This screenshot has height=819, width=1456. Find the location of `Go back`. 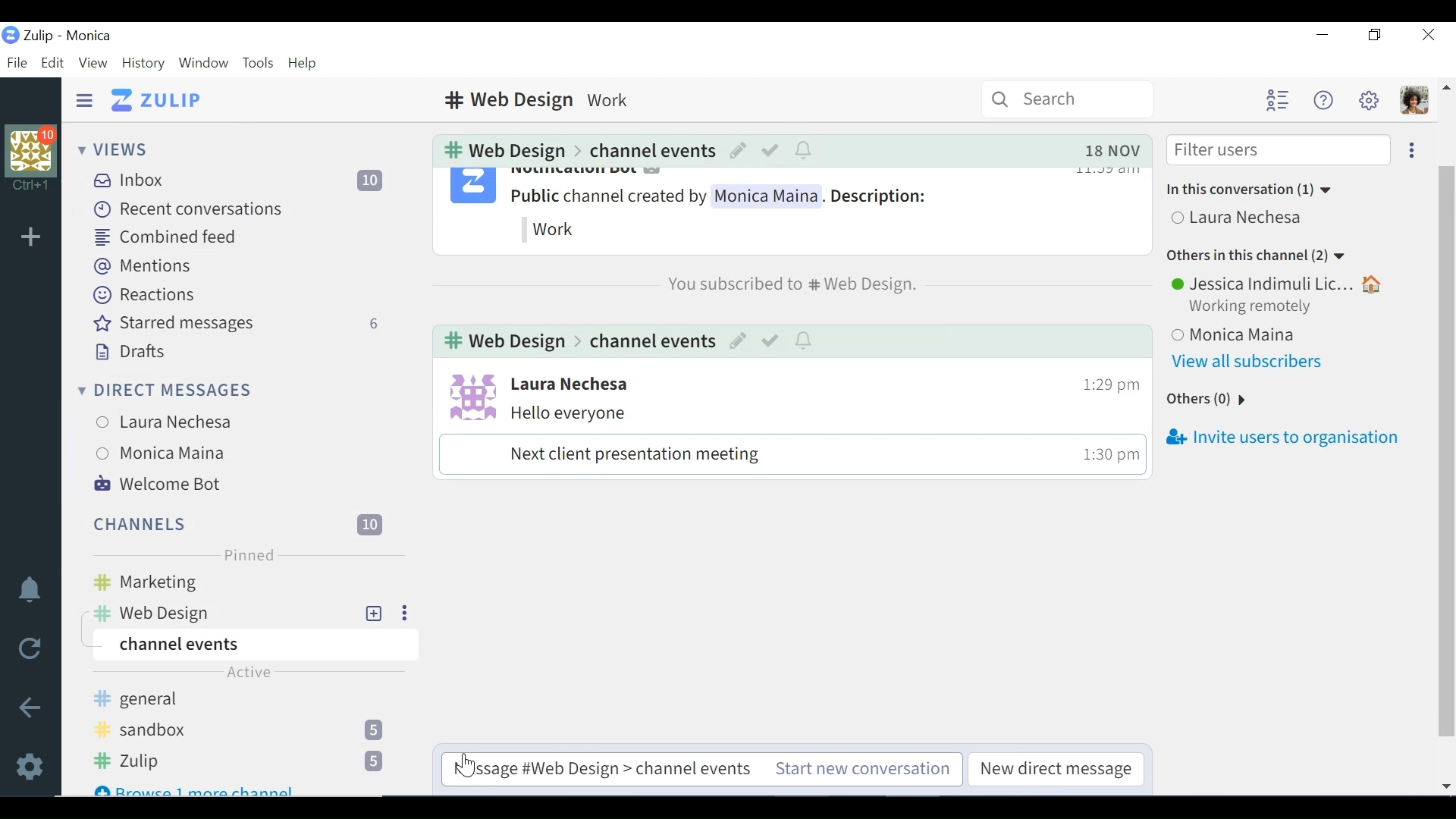

Go back is located at coordinates (31, 707).